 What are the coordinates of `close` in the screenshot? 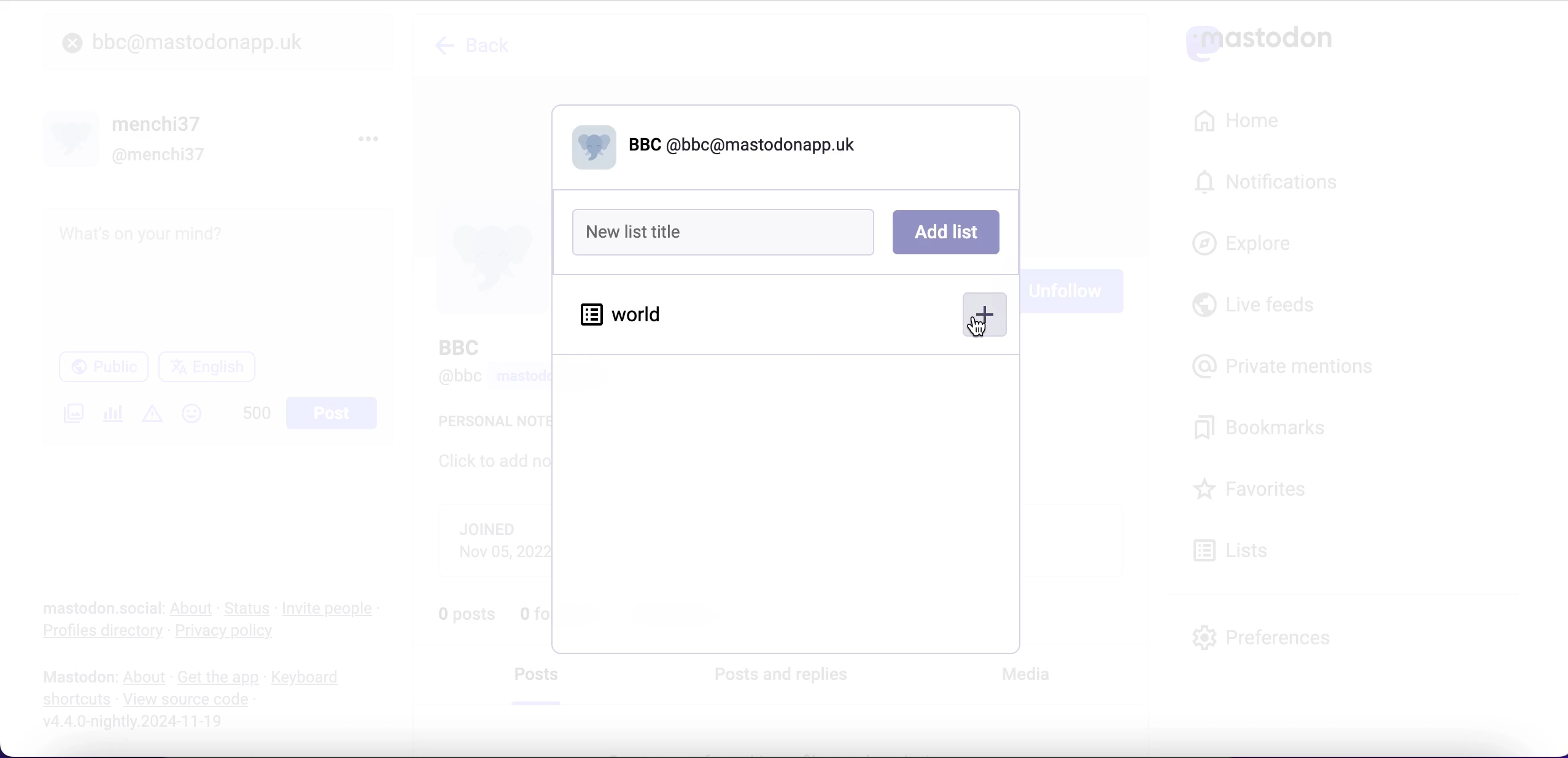 It's located at (72, 44).